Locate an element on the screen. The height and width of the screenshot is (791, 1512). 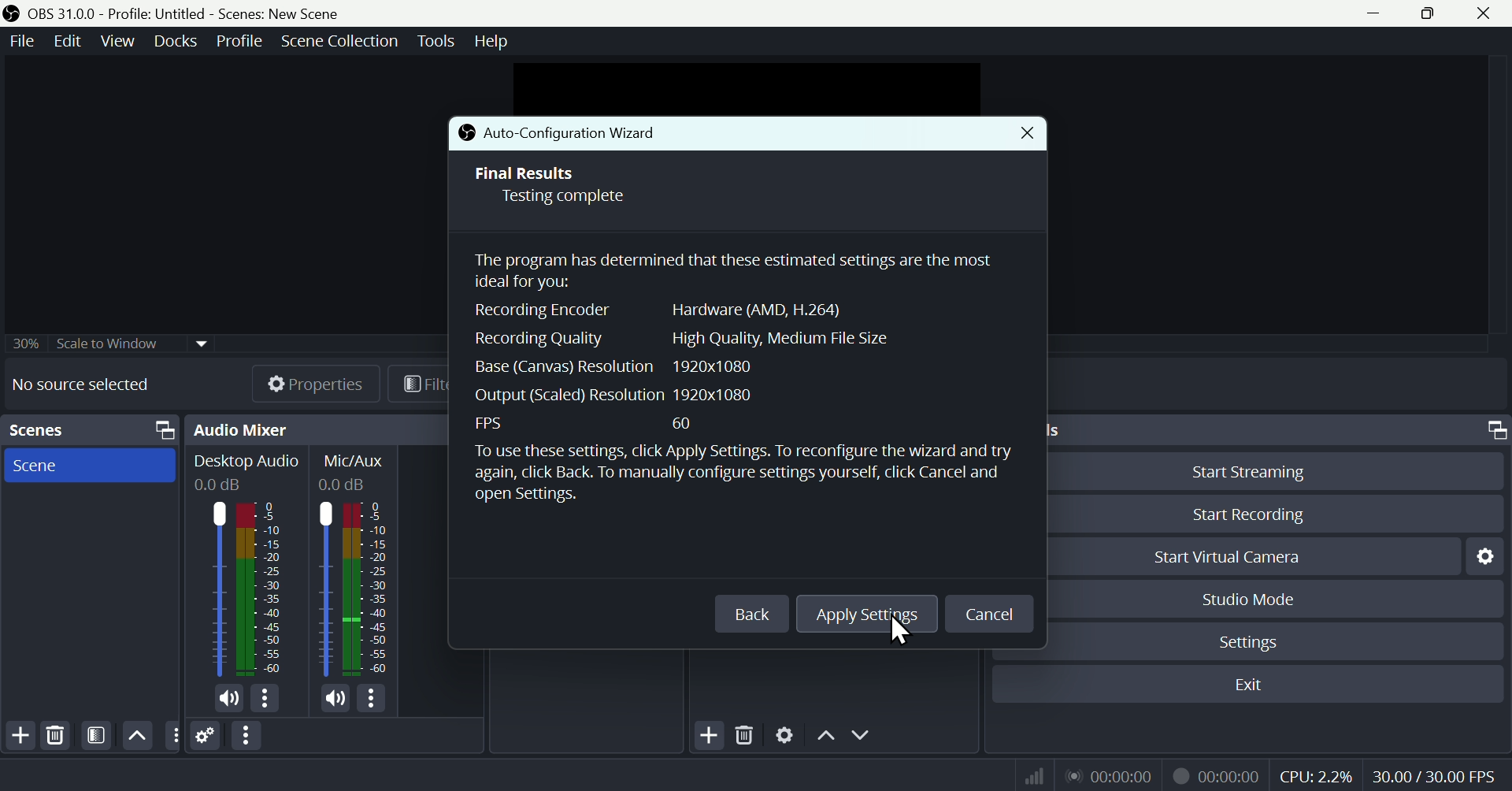
options is located at coordinates (264, 698).